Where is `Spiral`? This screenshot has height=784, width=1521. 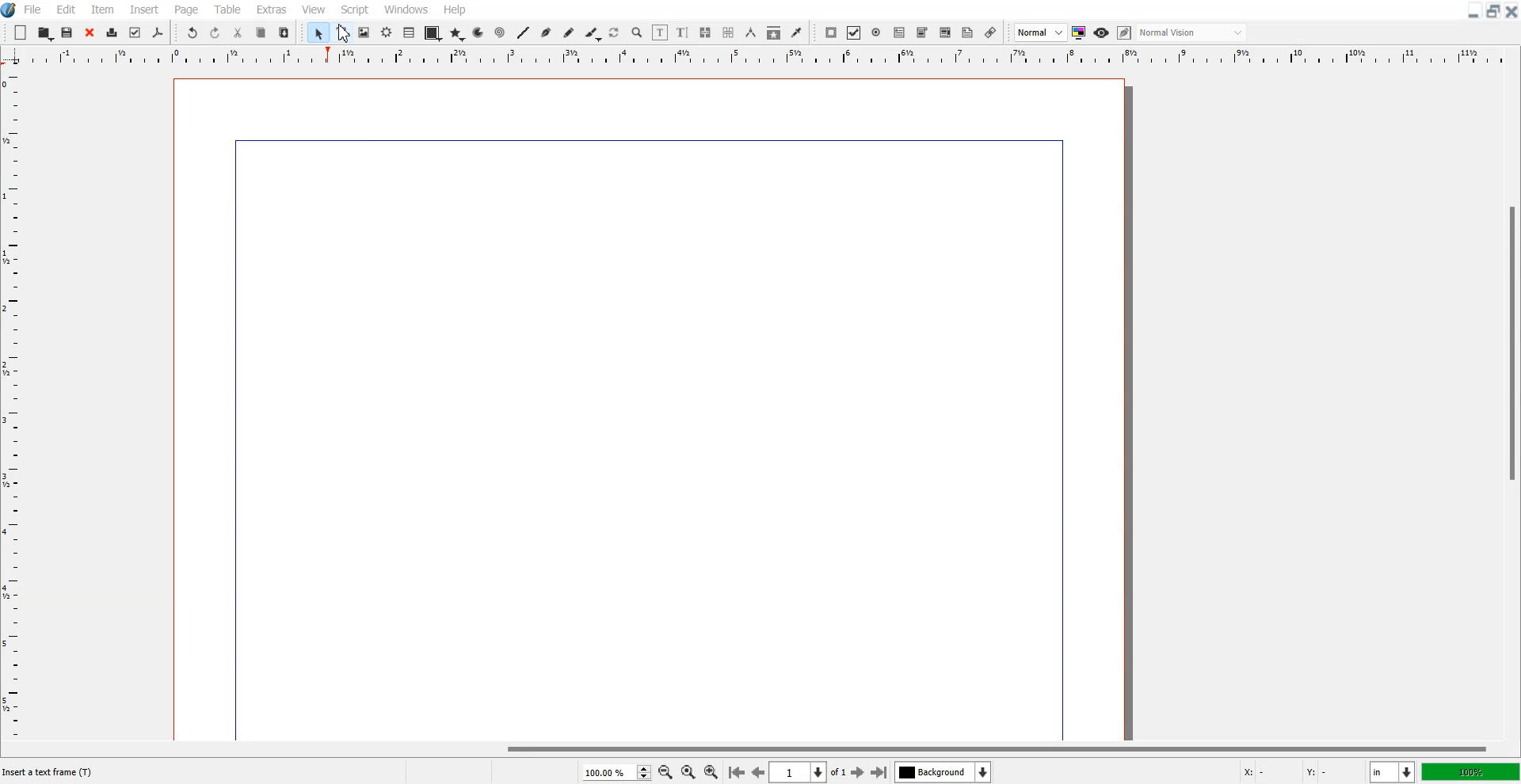
Spiral is located at coordinates (499, 33).